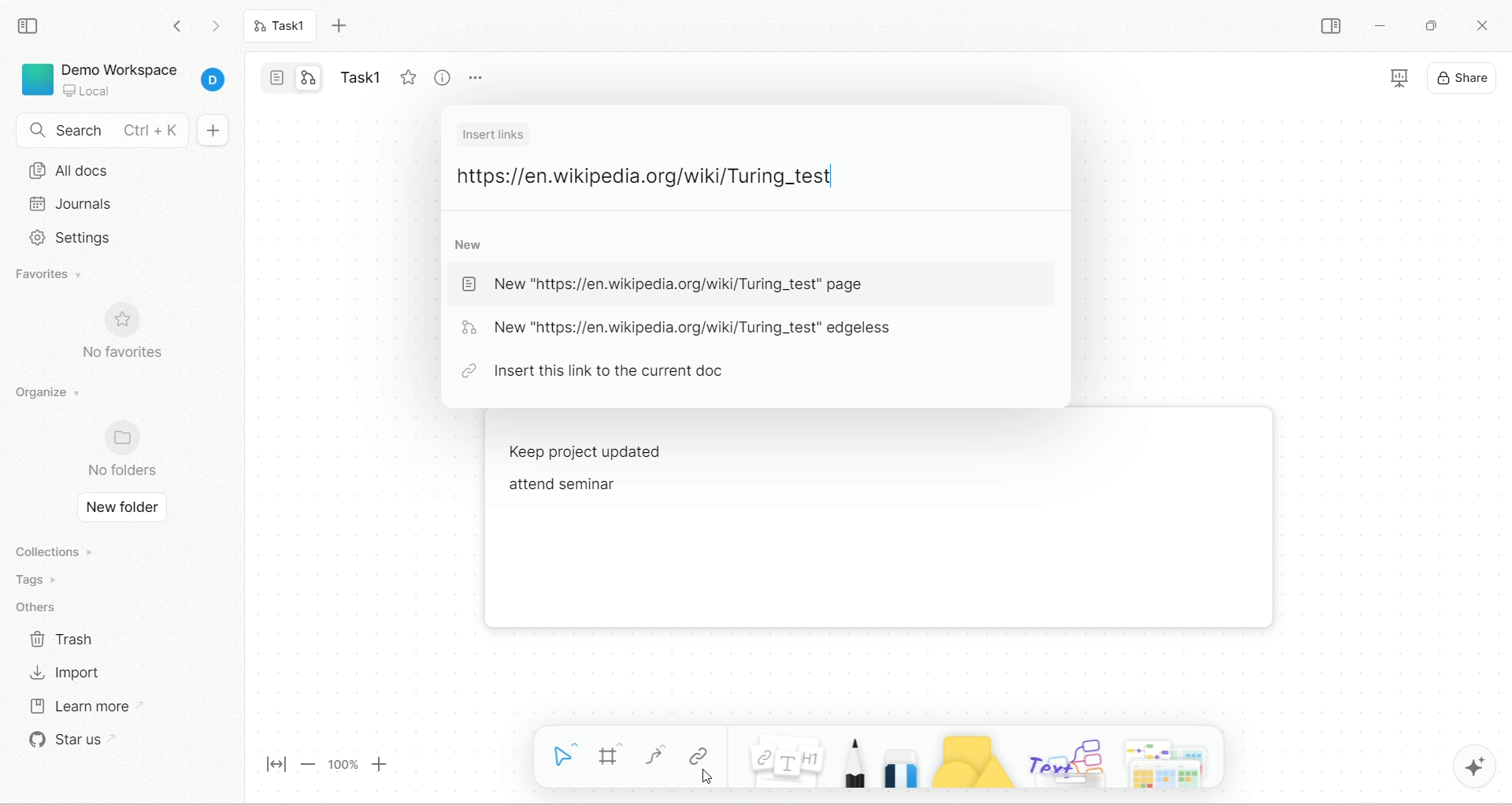  I want to click on cursor, so click(706, 779).